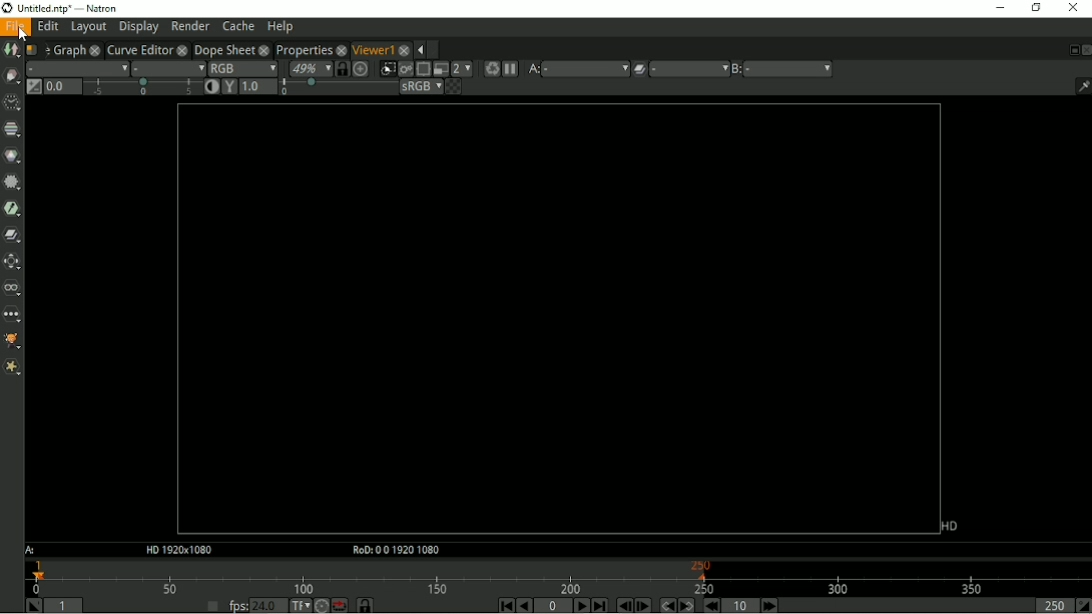  What do you see at coordinates (524, 605) in the screenshot?
I see `Play backward` at bounding box center [524, 605].